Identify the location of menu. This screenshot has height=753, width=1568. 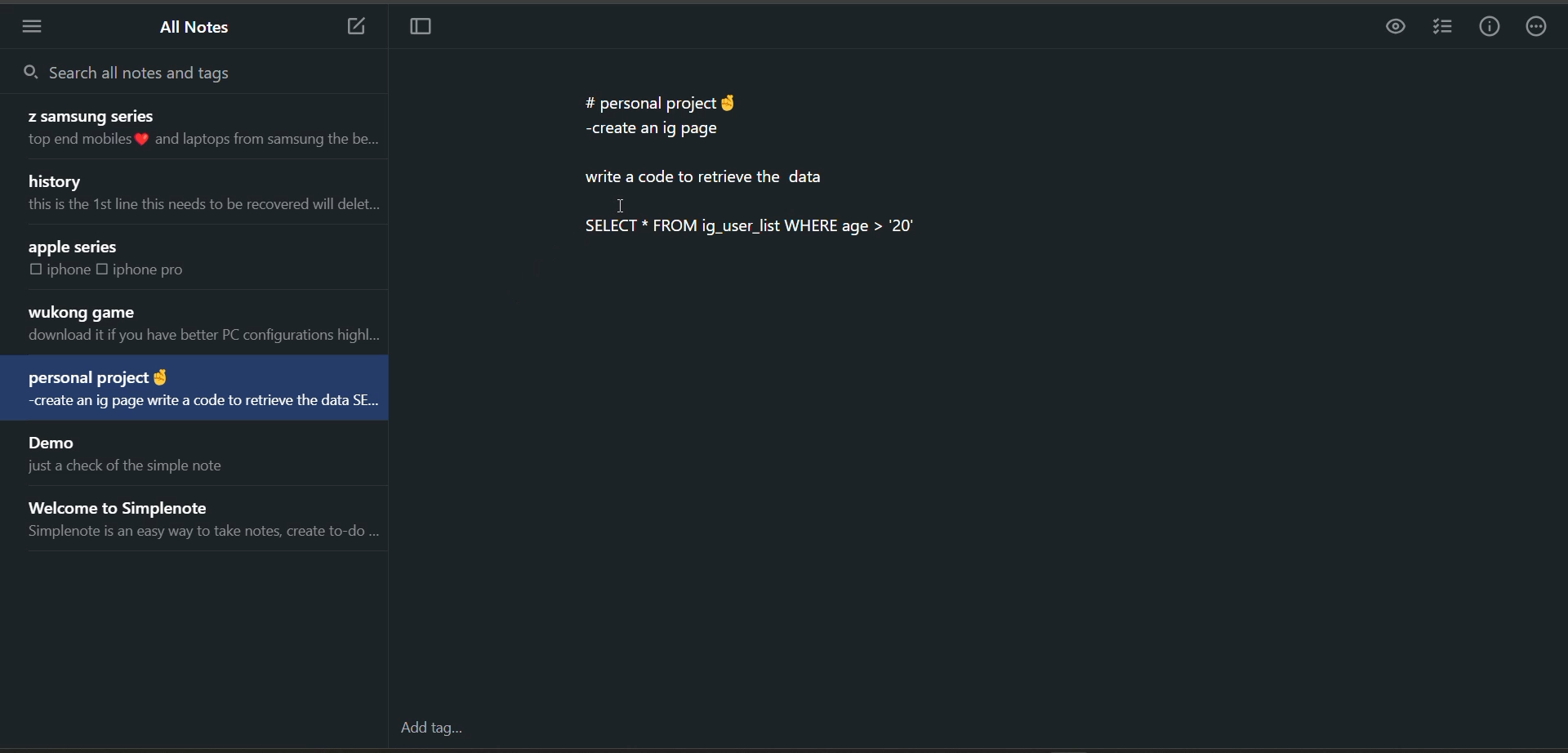
(38, 26).